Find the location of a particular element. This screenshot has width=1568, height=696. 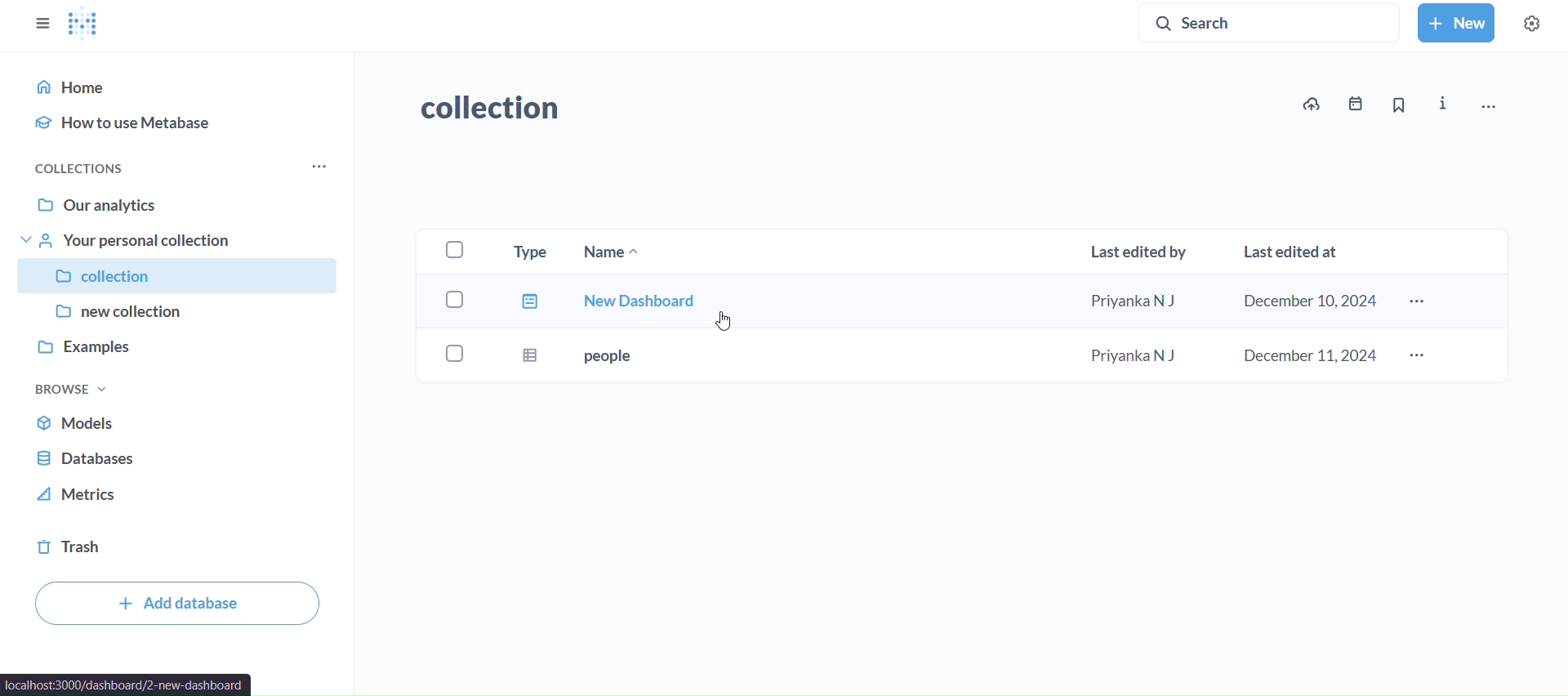

metrics is located at coordinates (179, 502).